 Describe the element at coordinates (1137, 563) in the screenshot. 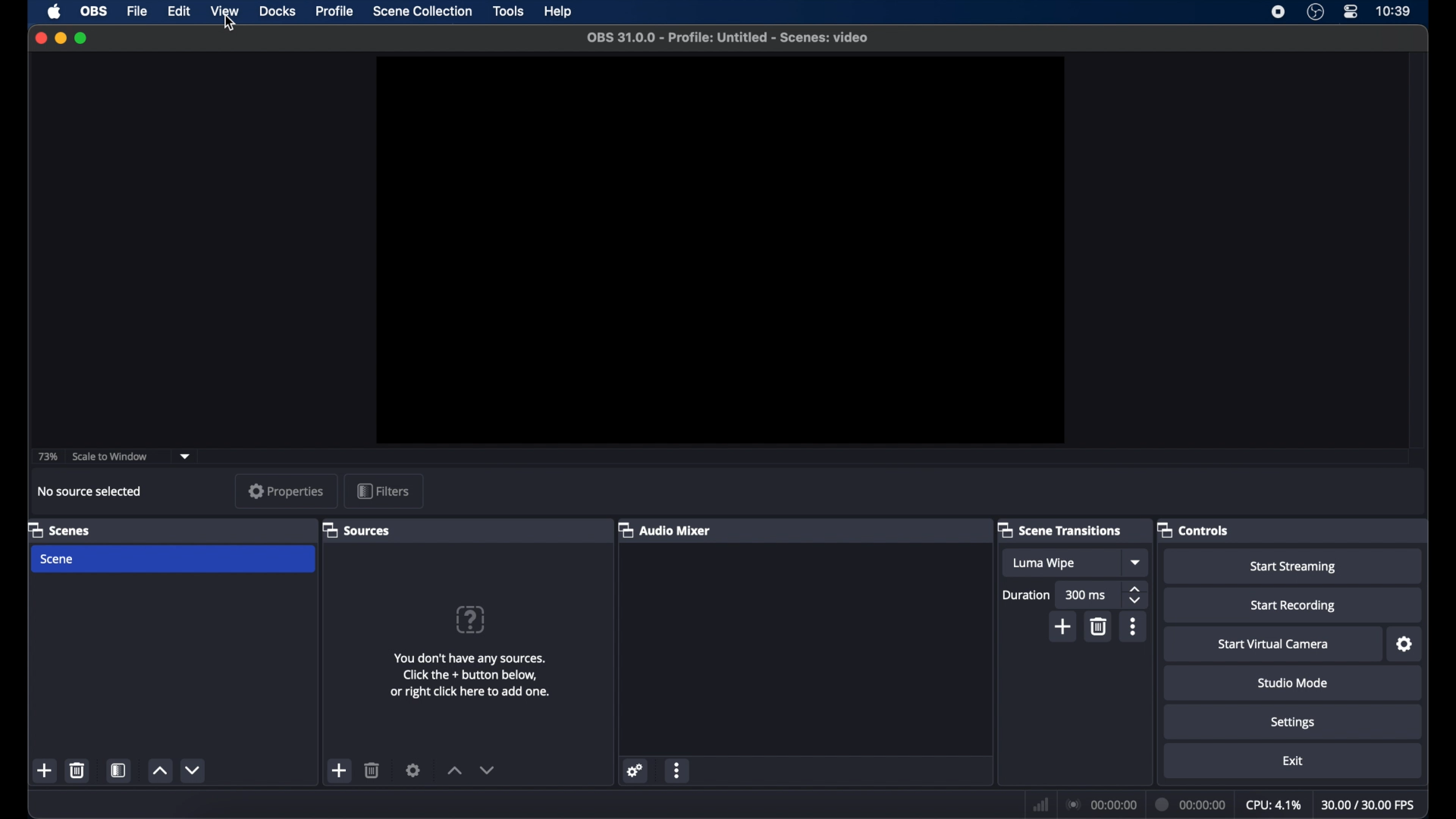

I see `dropdown` at that location.